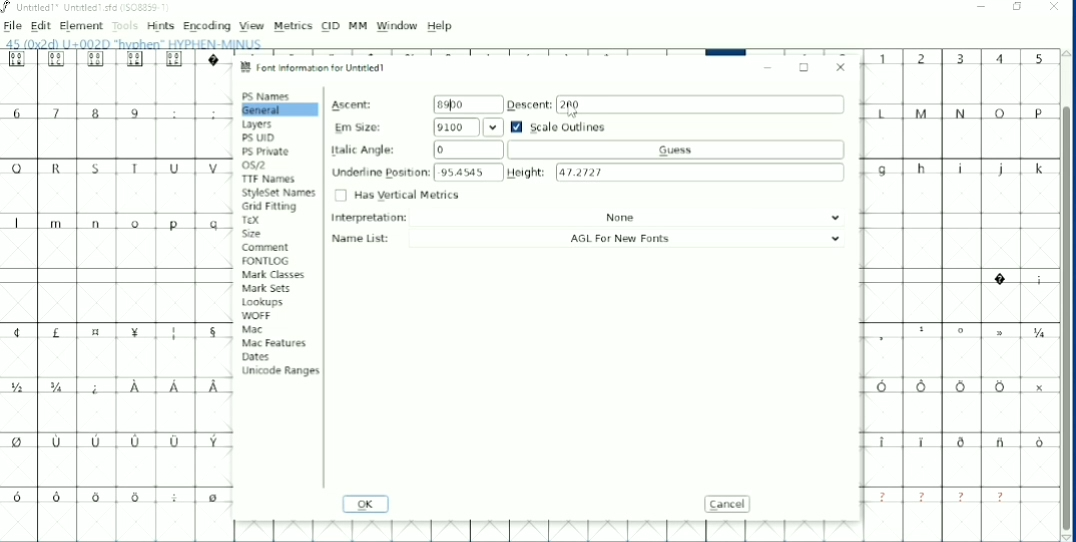 The height and width of the screenshot is (542, 1076). What do you see at coordinates (41, 26) in the screenshot?
I see `Edit` at bounding box center [41, 26].